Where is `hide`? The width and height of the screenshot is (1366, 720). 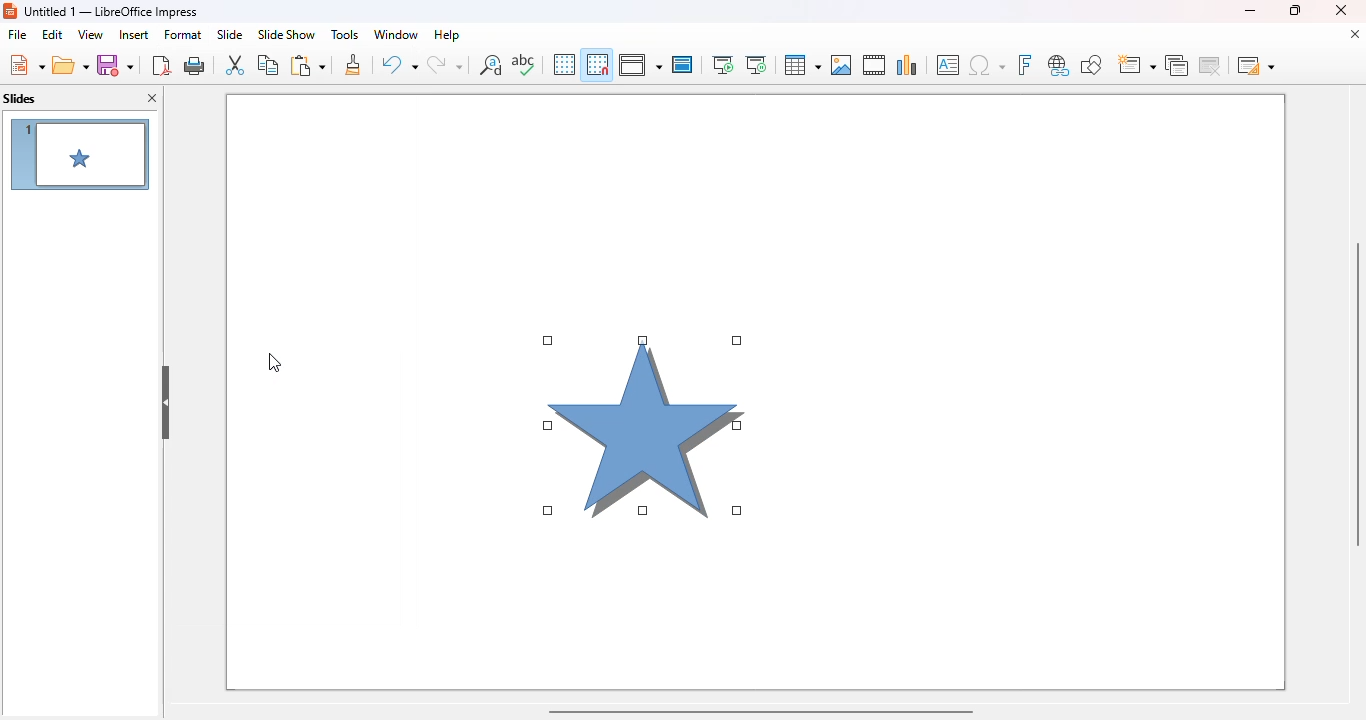
hide is located at coordinates (166, 403).